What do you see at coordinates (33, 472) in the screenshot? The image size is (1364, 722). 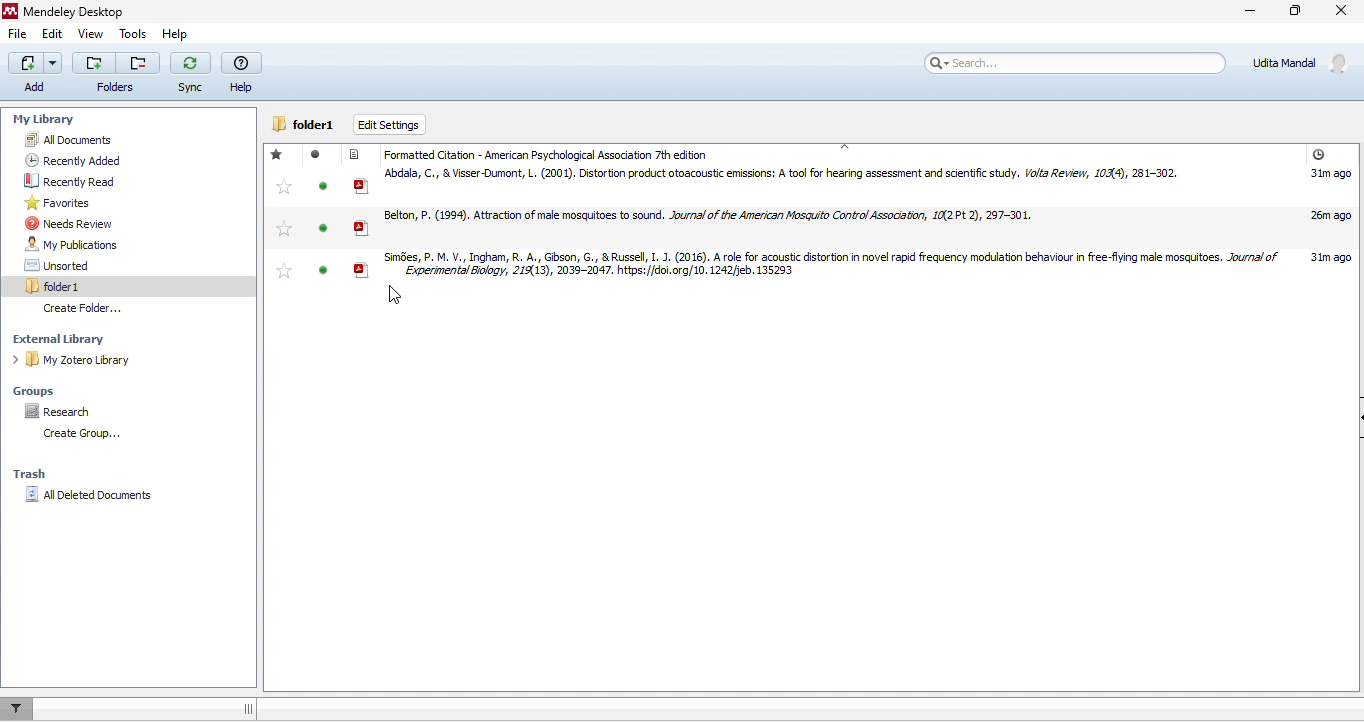 I see `trash` at bounding box center [33, 472].